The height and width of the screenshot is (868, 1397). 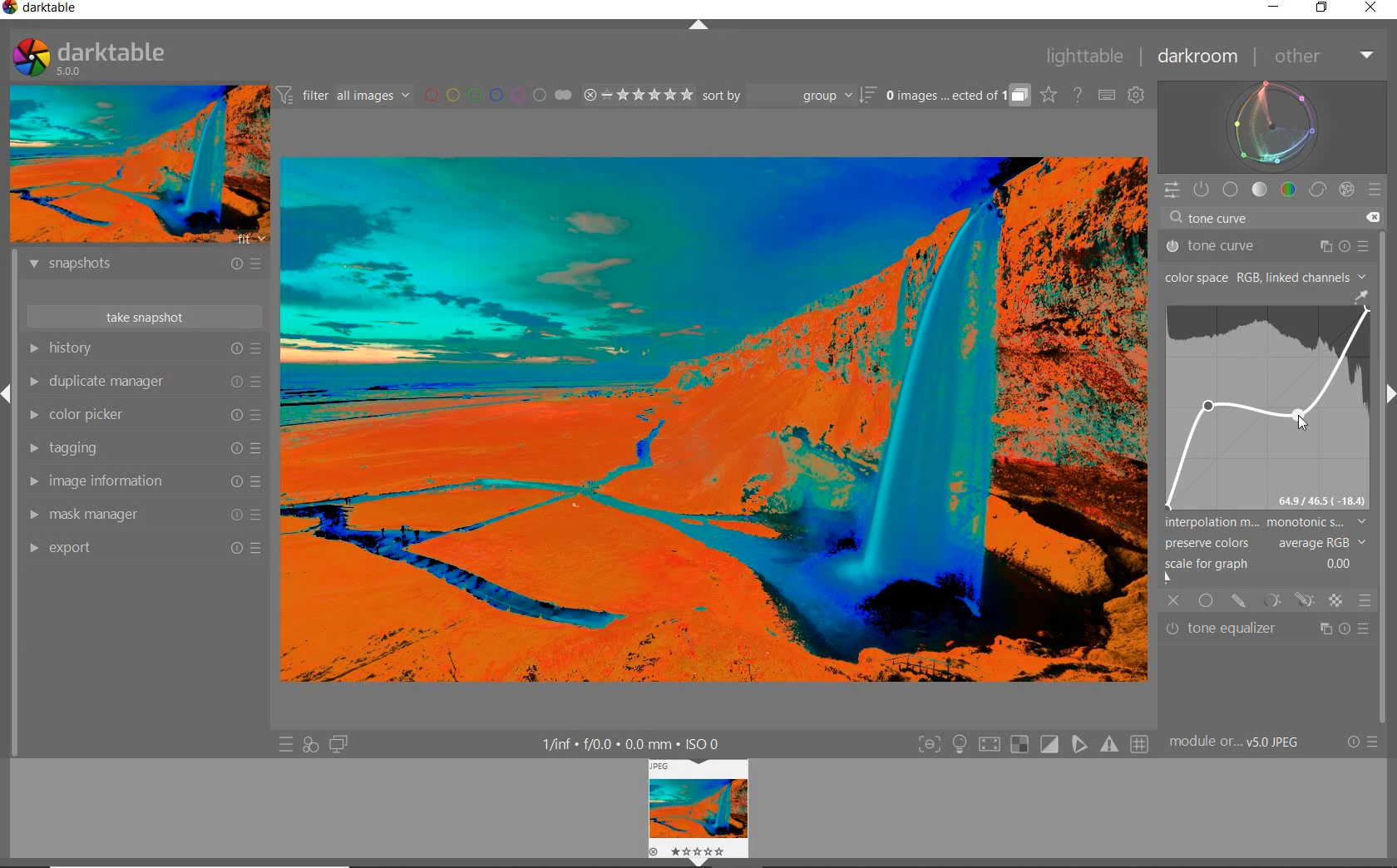 What do you see at coordinates (1206, 601) in the screenshot?
I see `UNIFORMLY` at bounding box center [1206, 601].